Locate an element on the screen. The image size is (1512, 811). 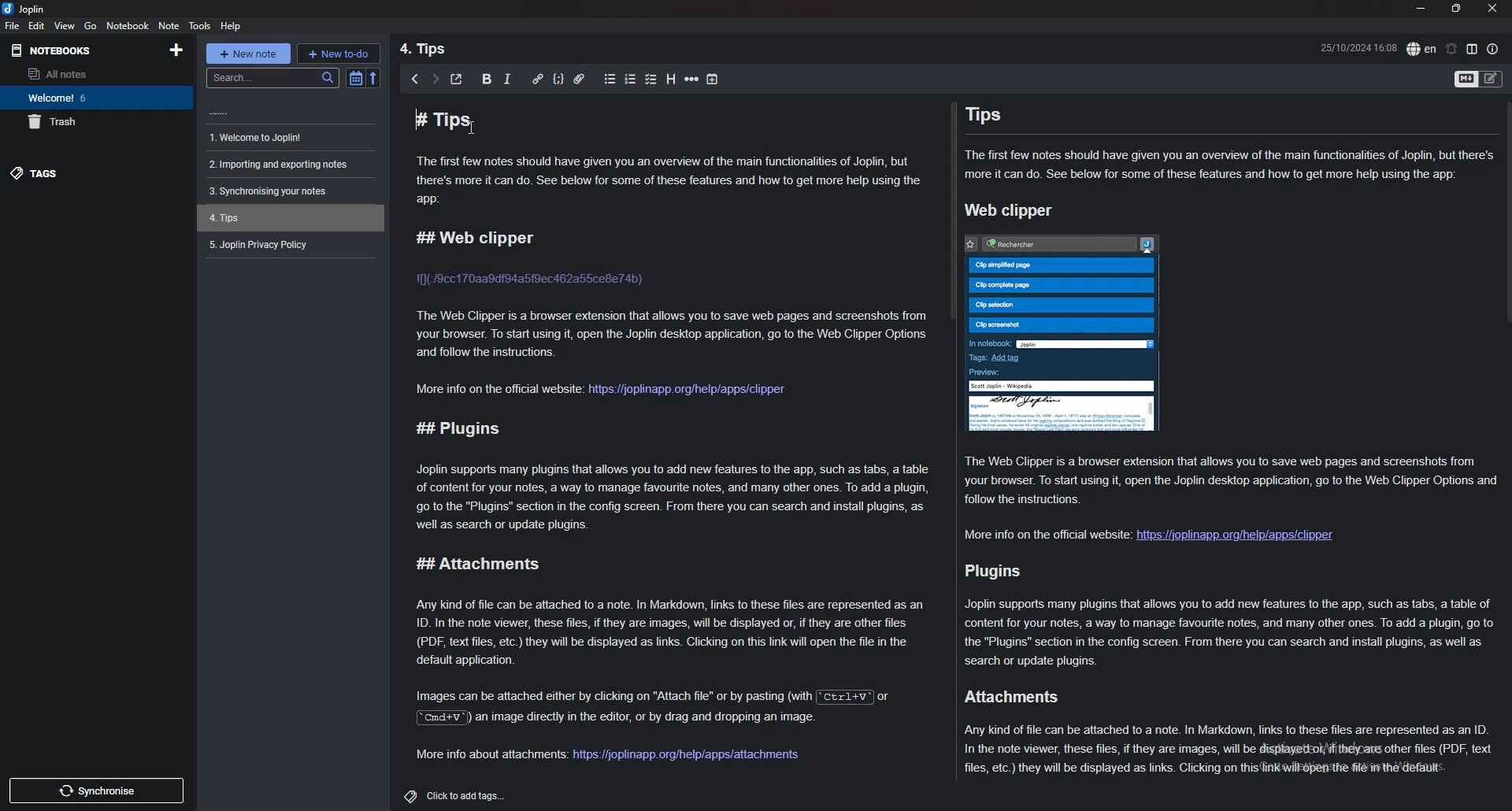
next is located at coordinates (436, 80).